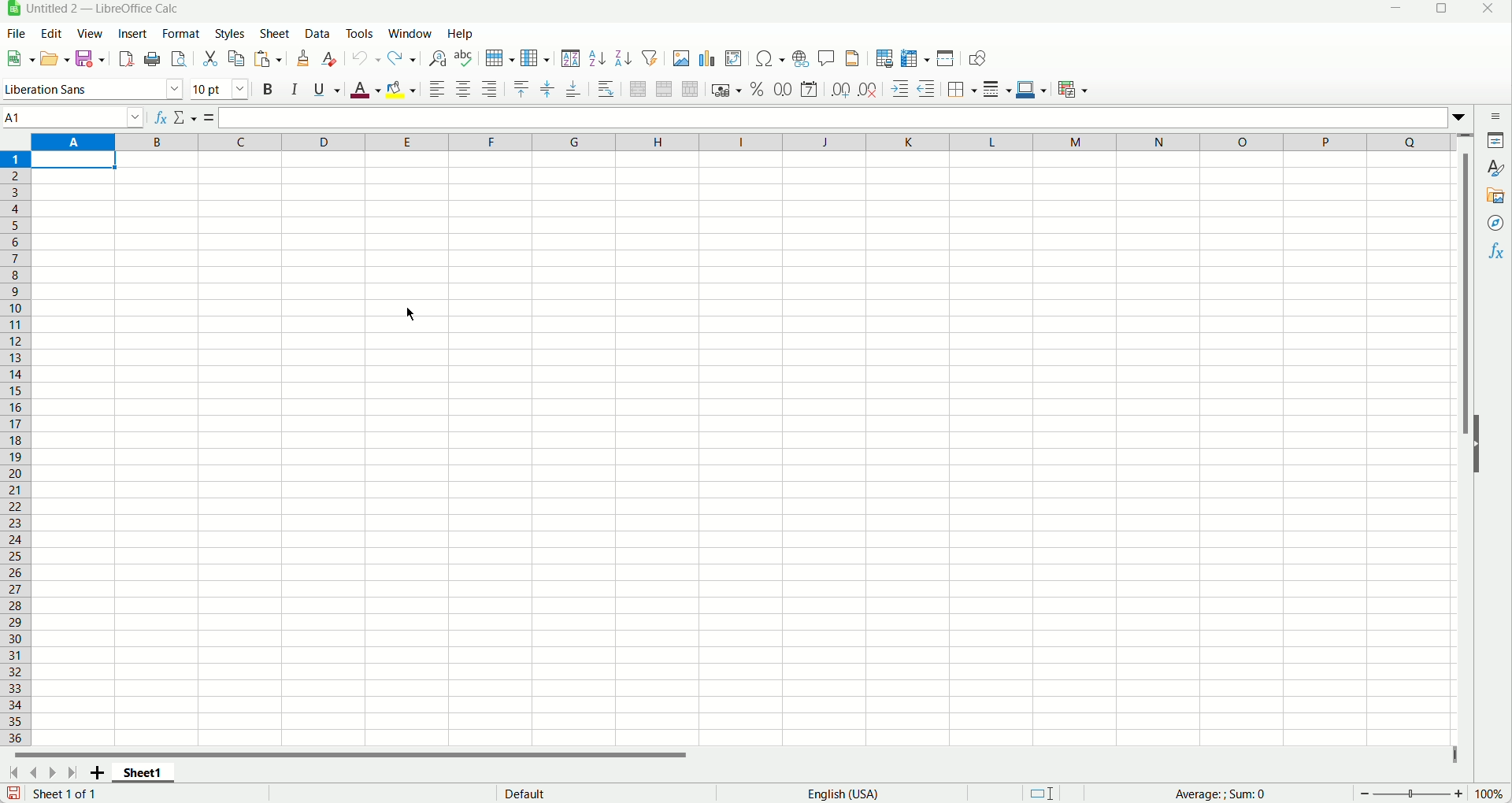 The height and width of the screenshot is (803, 1512). I want to click on Select function, so click(187, 117).